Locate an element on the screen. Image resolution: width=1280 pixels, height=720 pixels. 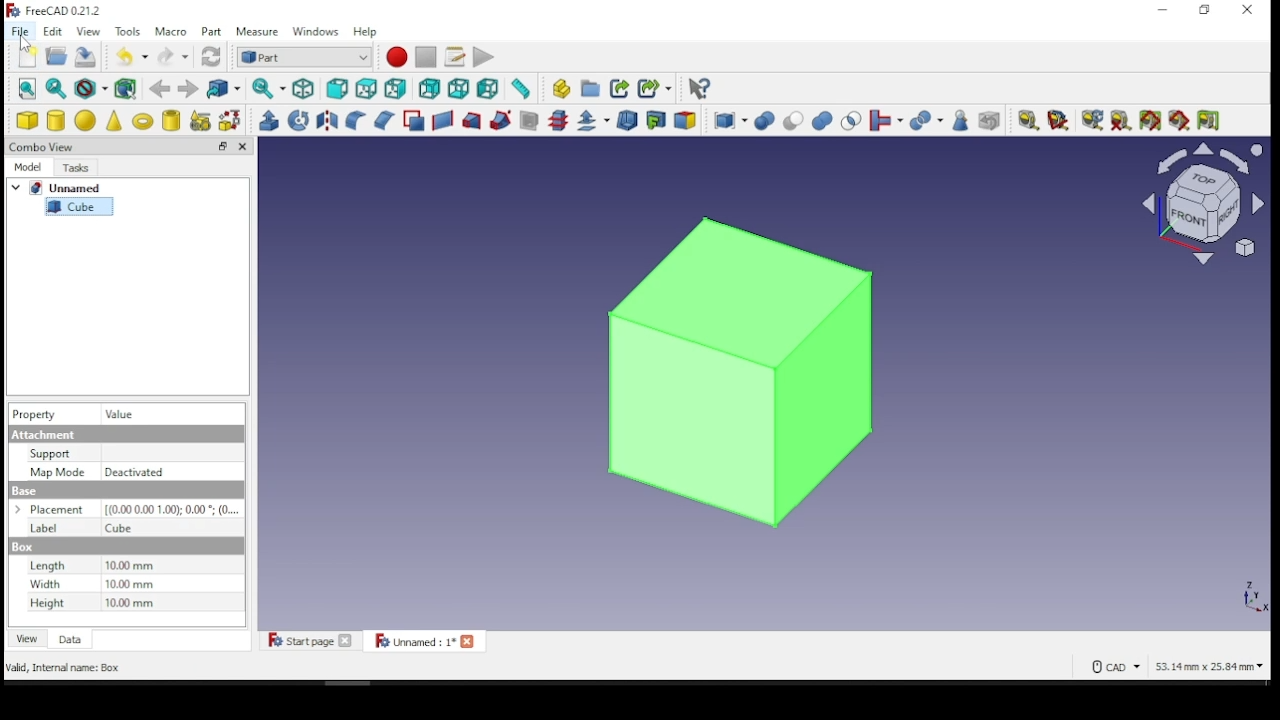
back is located at coordinates (159, 89).